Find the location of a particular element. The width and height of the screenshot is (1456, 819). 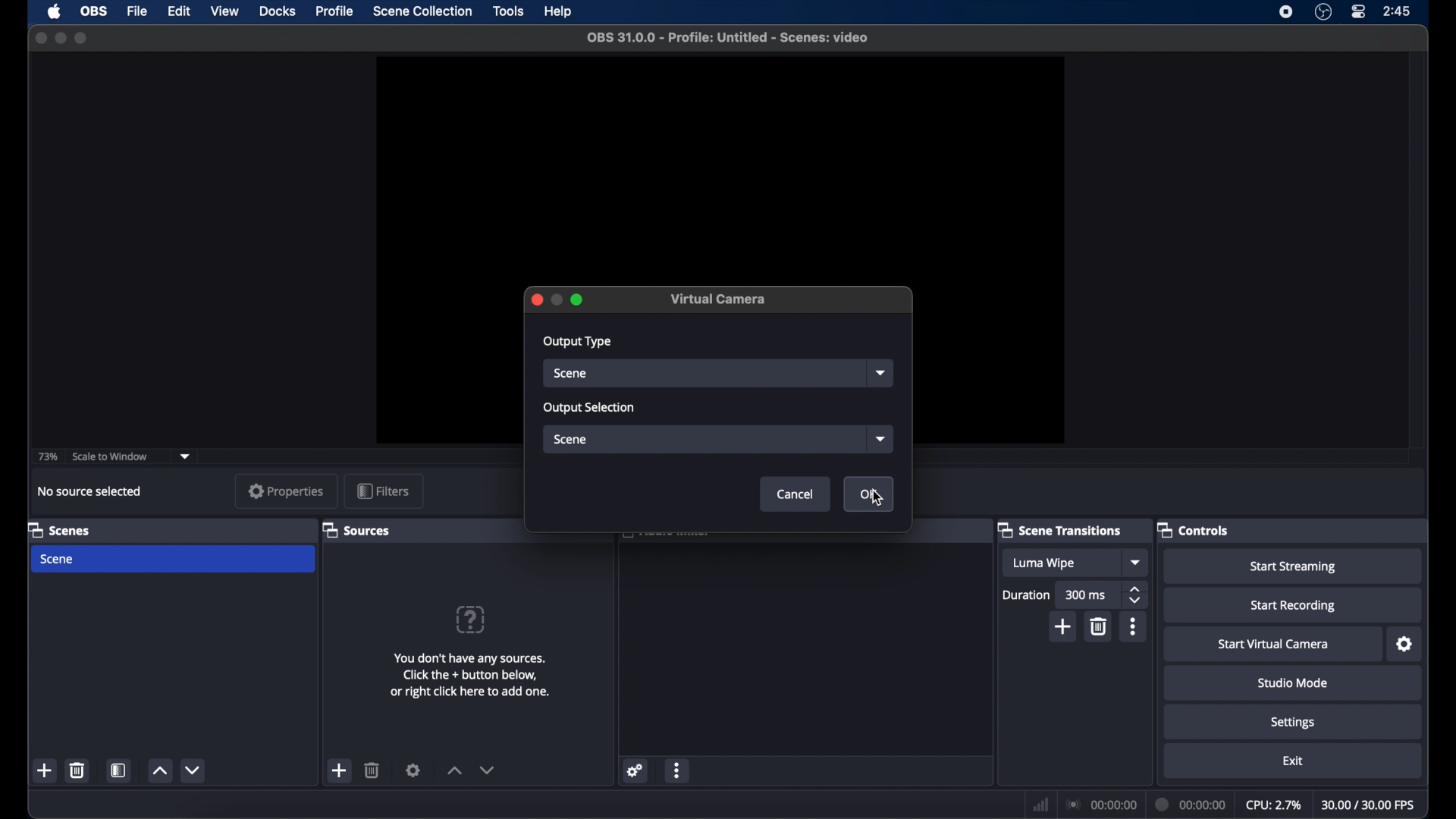

decrement is located at coordinates (487, 770).